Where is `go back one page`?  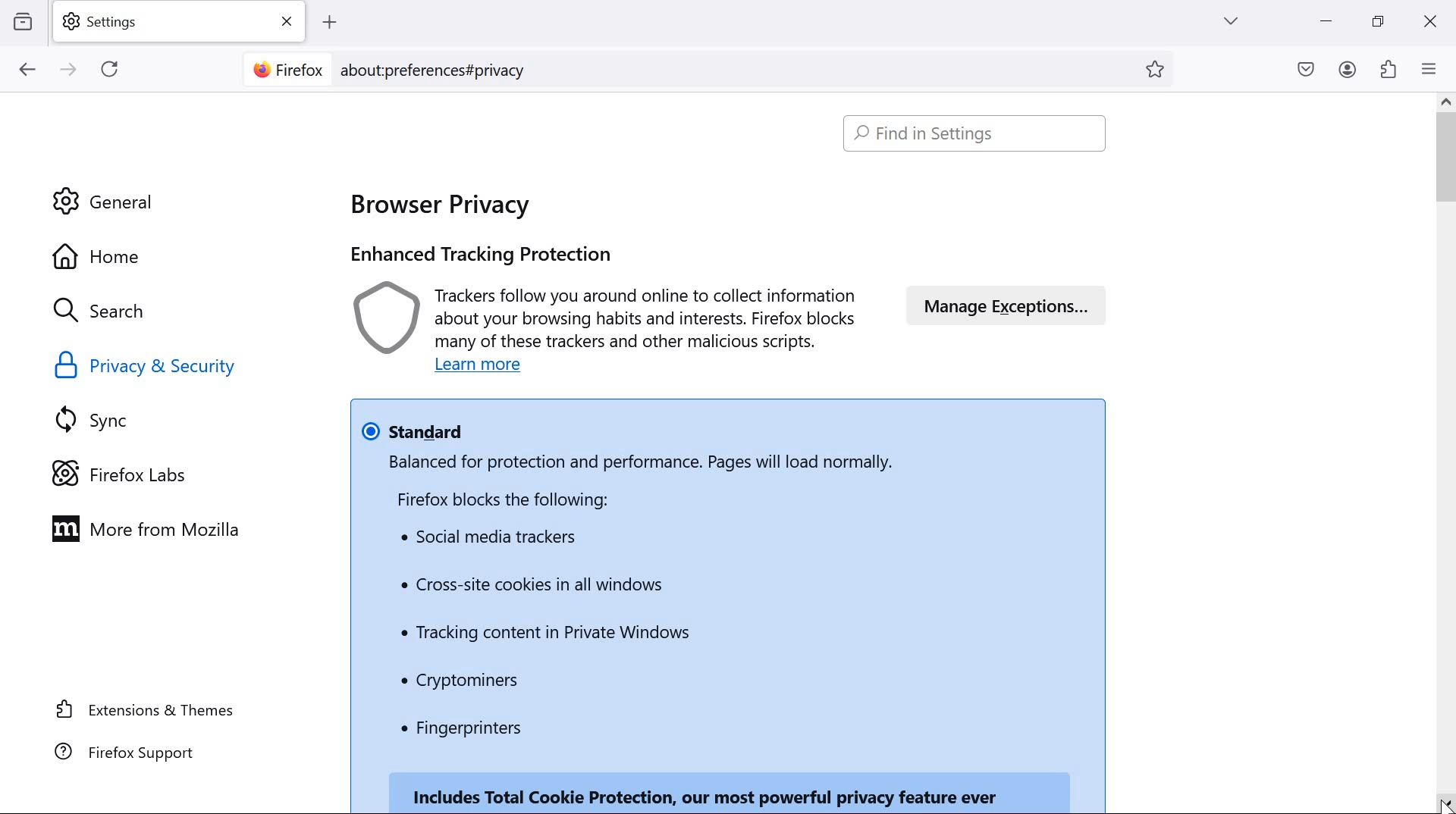 go back one page is located at coordinates (28, 69).